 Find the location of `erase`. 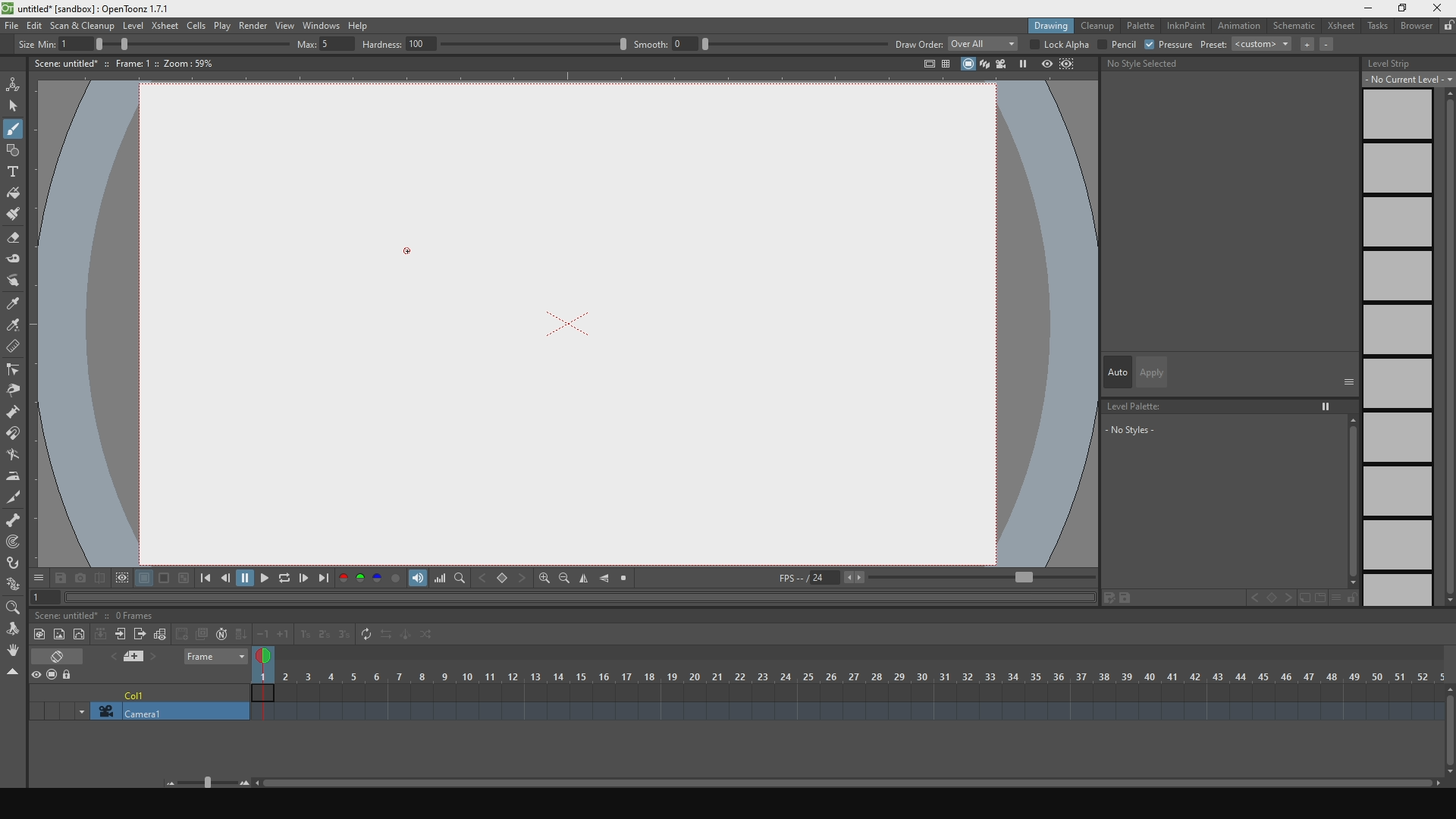

erase is located at coordinates (14, 238).